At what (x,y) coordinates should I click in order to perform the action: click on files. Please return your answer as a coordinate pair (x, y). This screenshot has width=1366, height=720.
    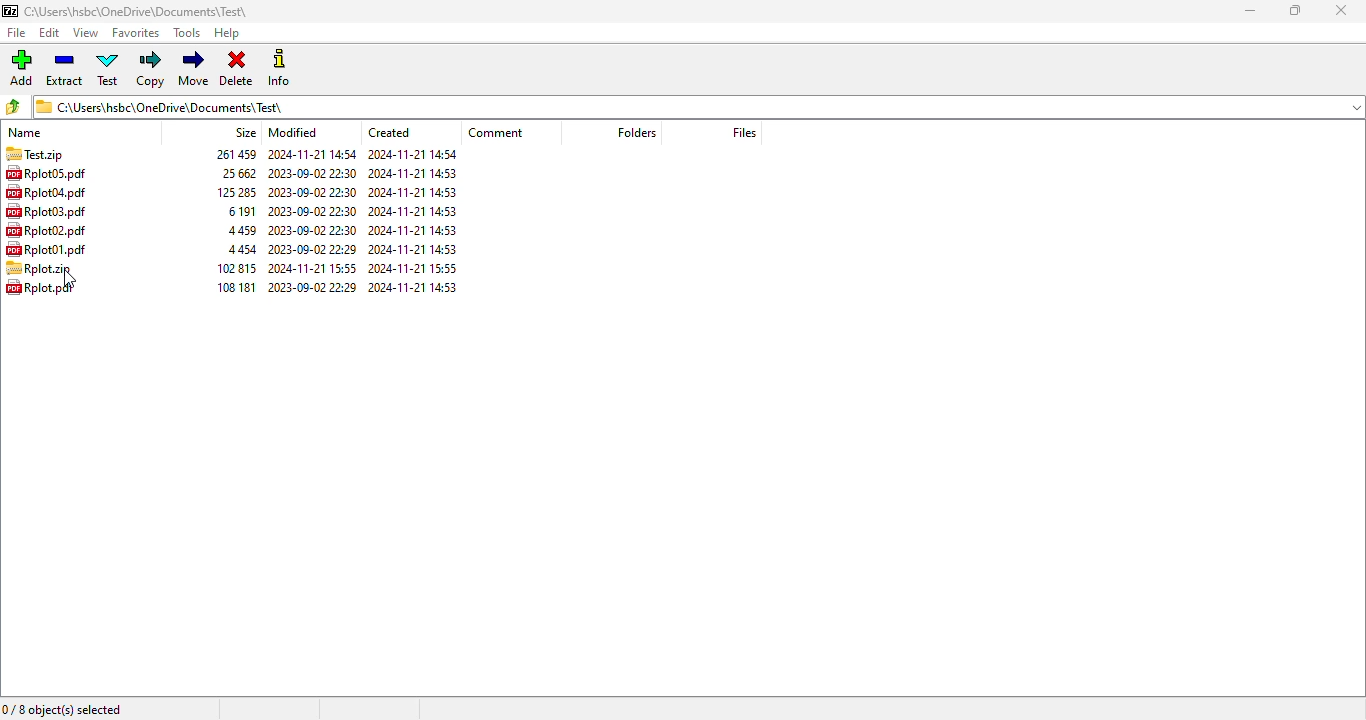
    Looking at the image, I should click on (745, 132).